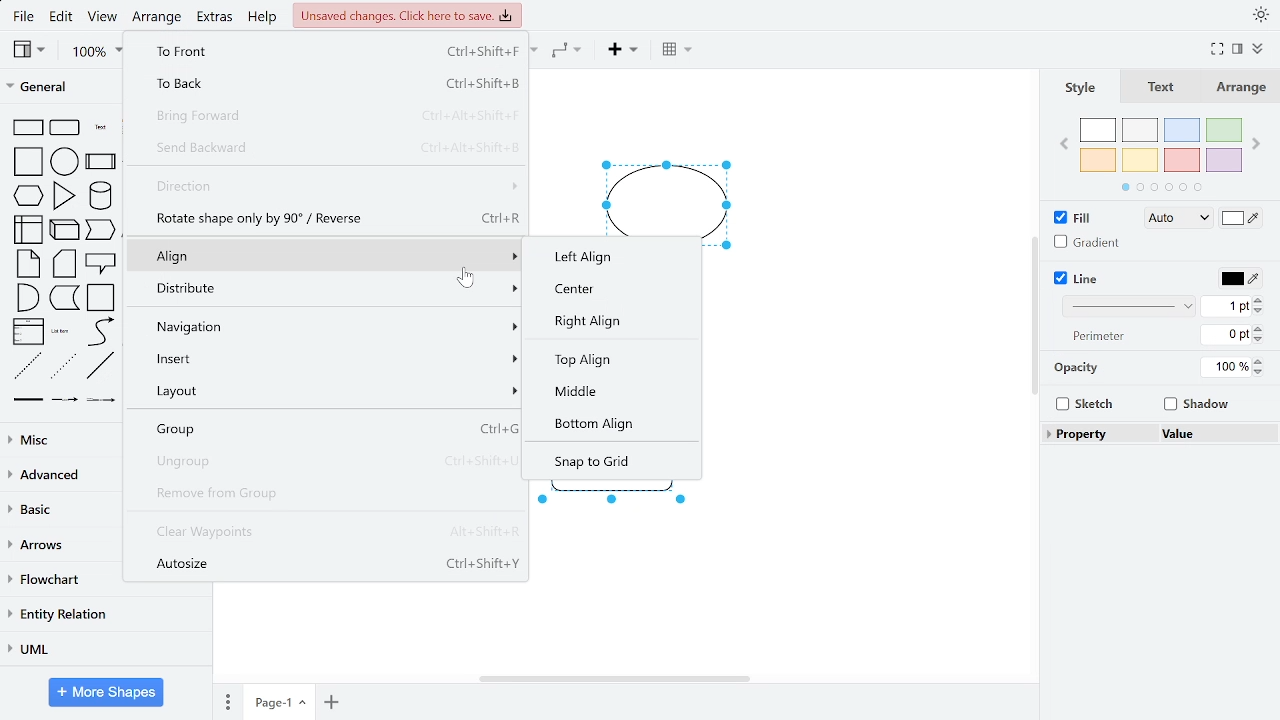  I want to click on view, so click(105, 18).